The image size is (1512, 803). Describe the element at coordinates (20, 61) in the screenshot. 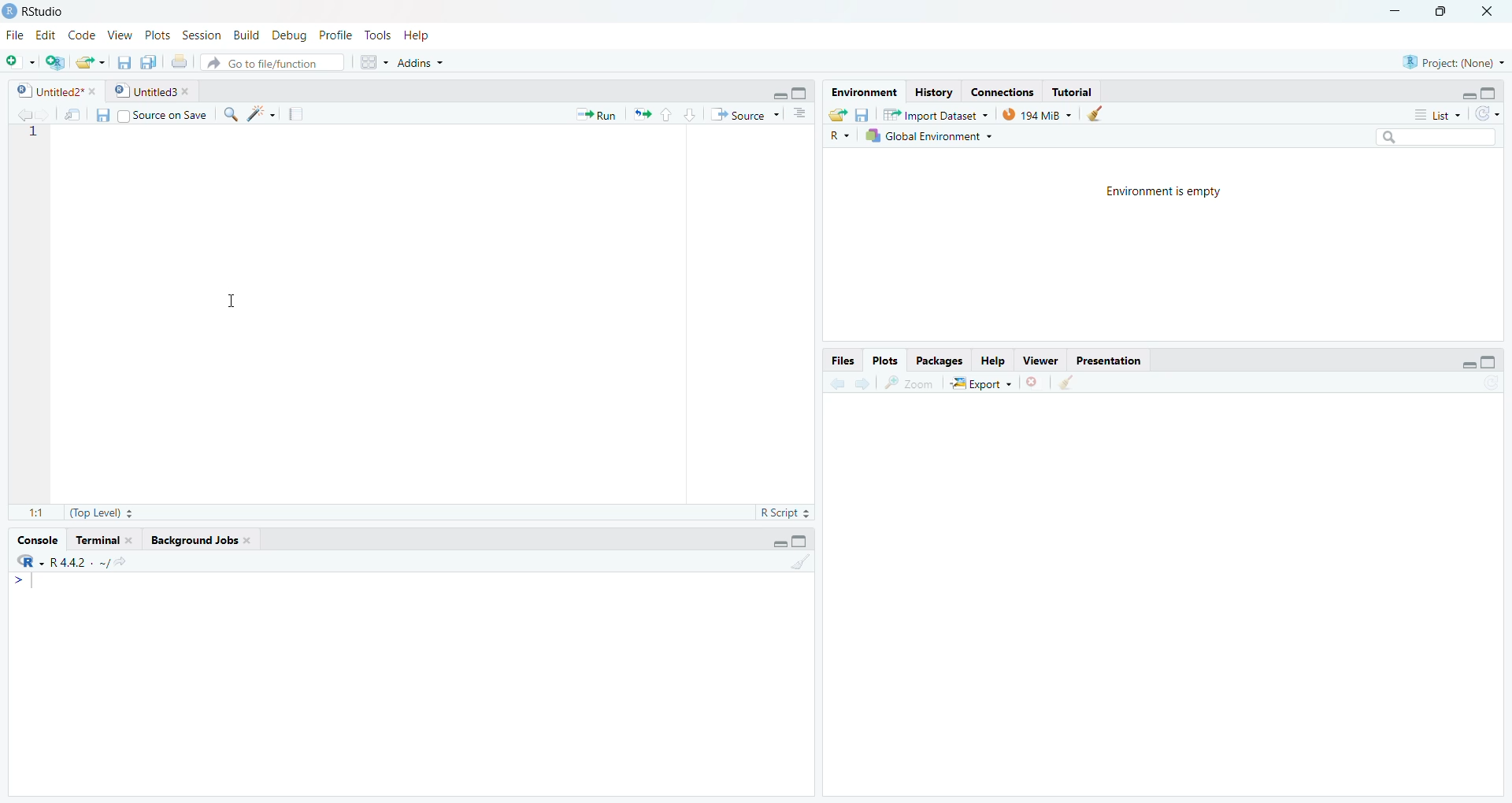

I see `new file` at that location.